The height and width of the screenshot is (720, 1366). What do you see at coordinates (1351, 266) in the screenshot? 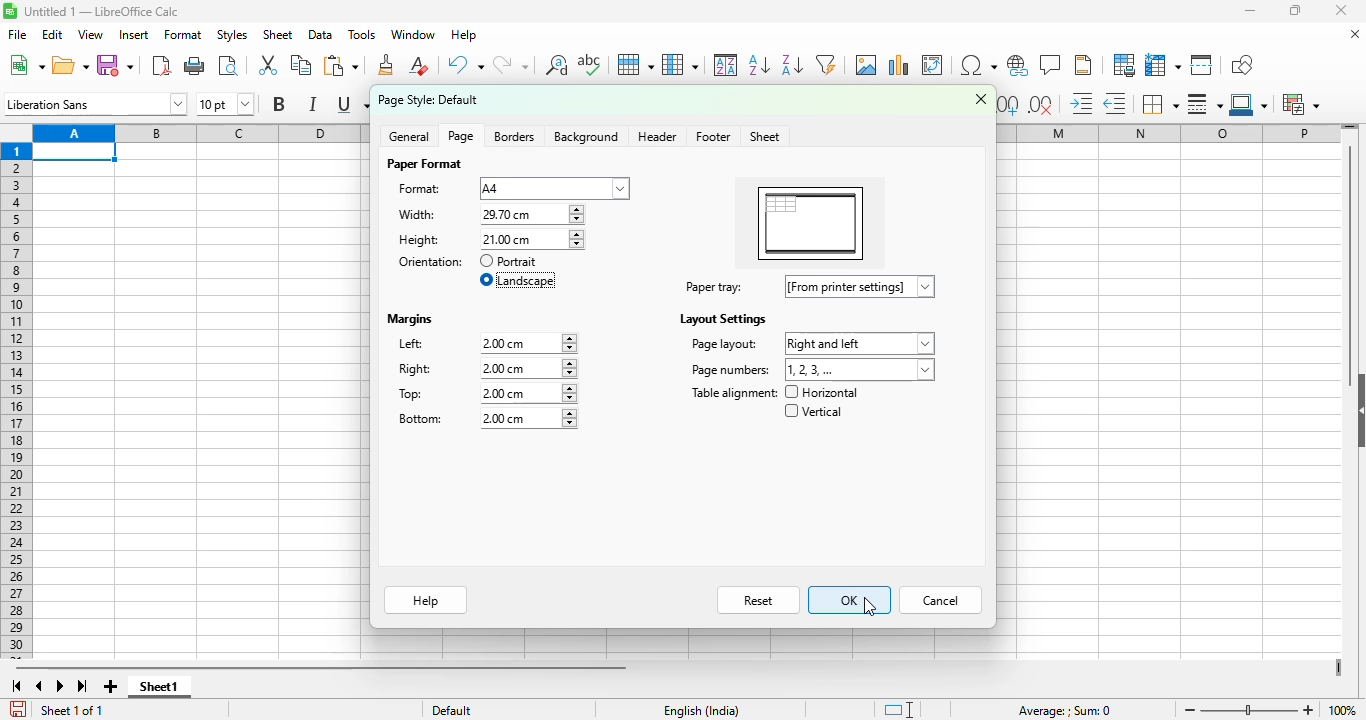
I see `vertical scroll bar` at bounding box center [1351, 266].